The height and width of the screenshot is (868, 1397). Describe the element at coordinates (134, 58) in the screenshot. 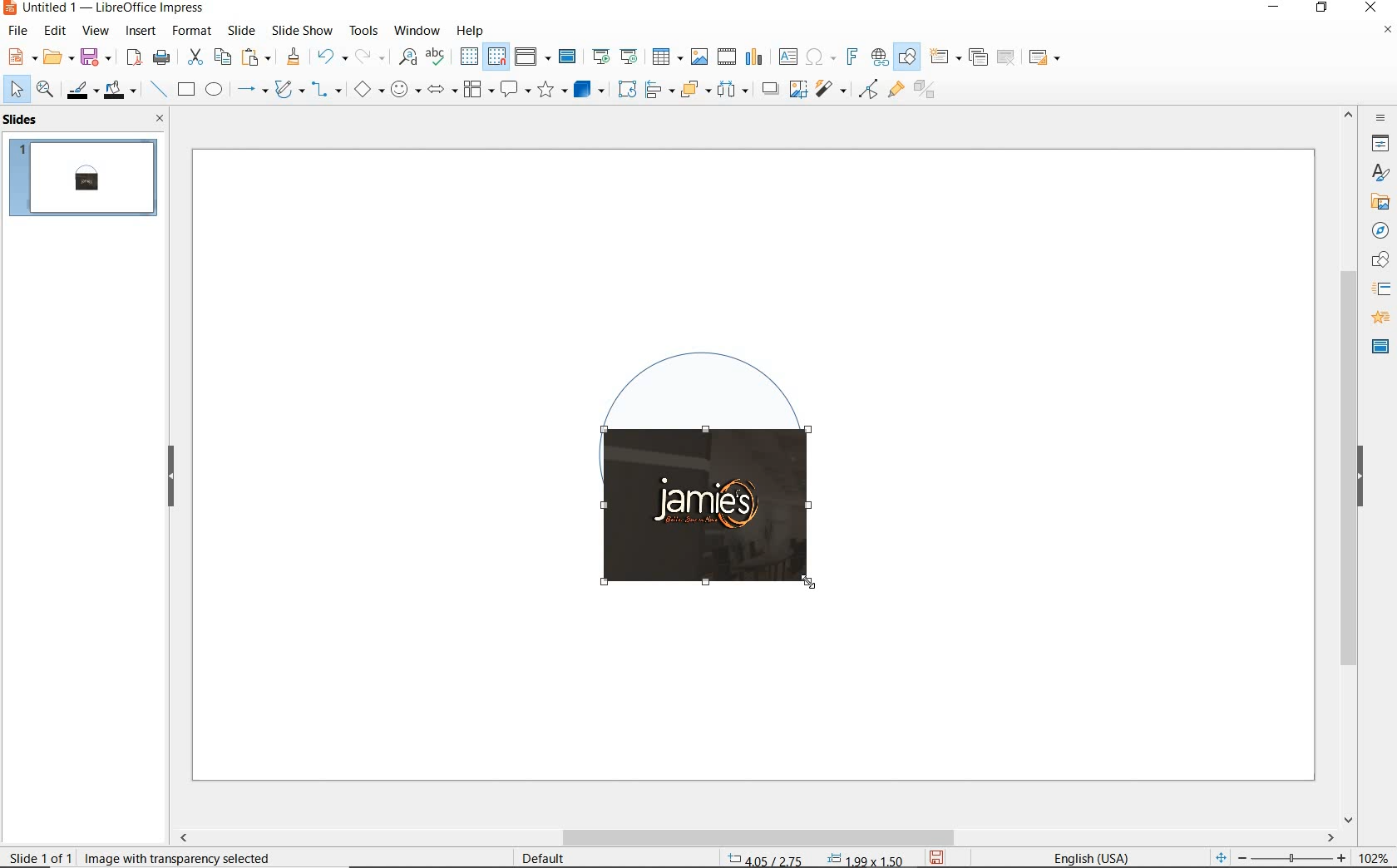

I see `export as PDF` at that location.